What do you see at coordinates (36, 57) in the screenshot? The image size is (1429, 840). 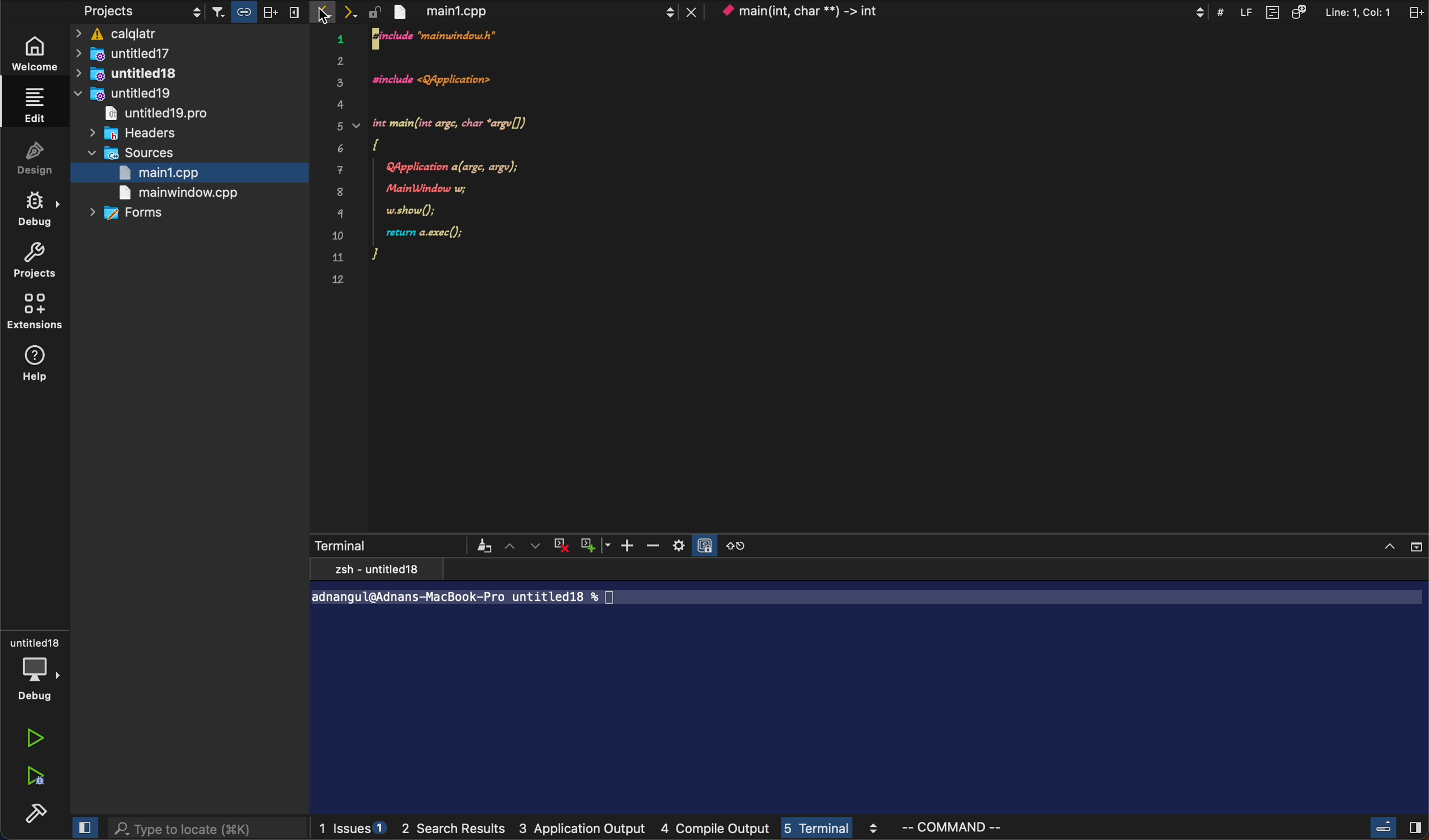 I see `welcome` at bounding box center [36, 57].